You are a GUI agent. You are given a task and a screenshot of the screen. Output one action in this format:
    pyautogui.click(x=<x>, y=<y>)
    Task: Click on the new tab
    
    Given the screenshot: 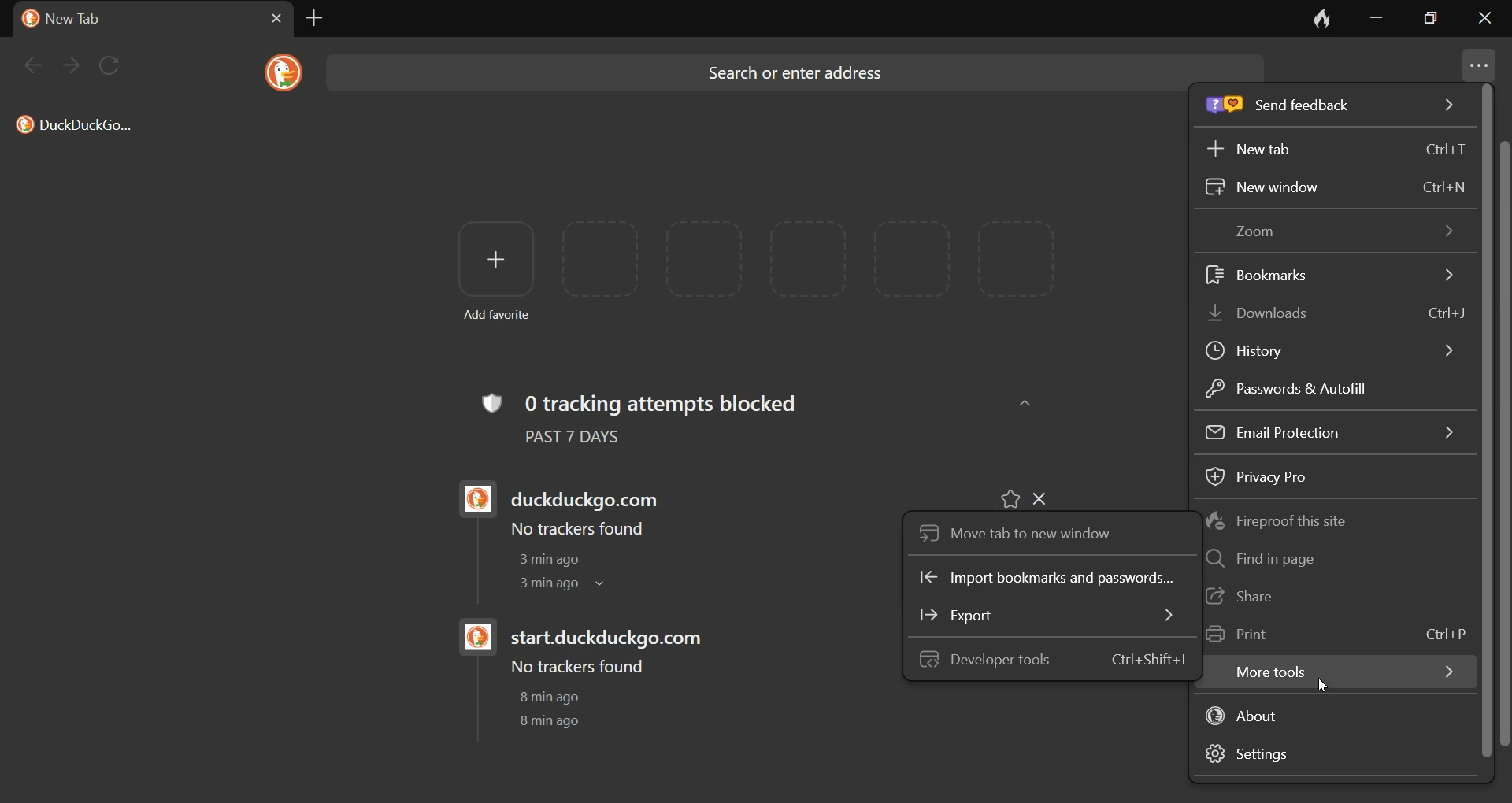 What is the action you would take?
    pyautogui.click(x=79, y=20)
    